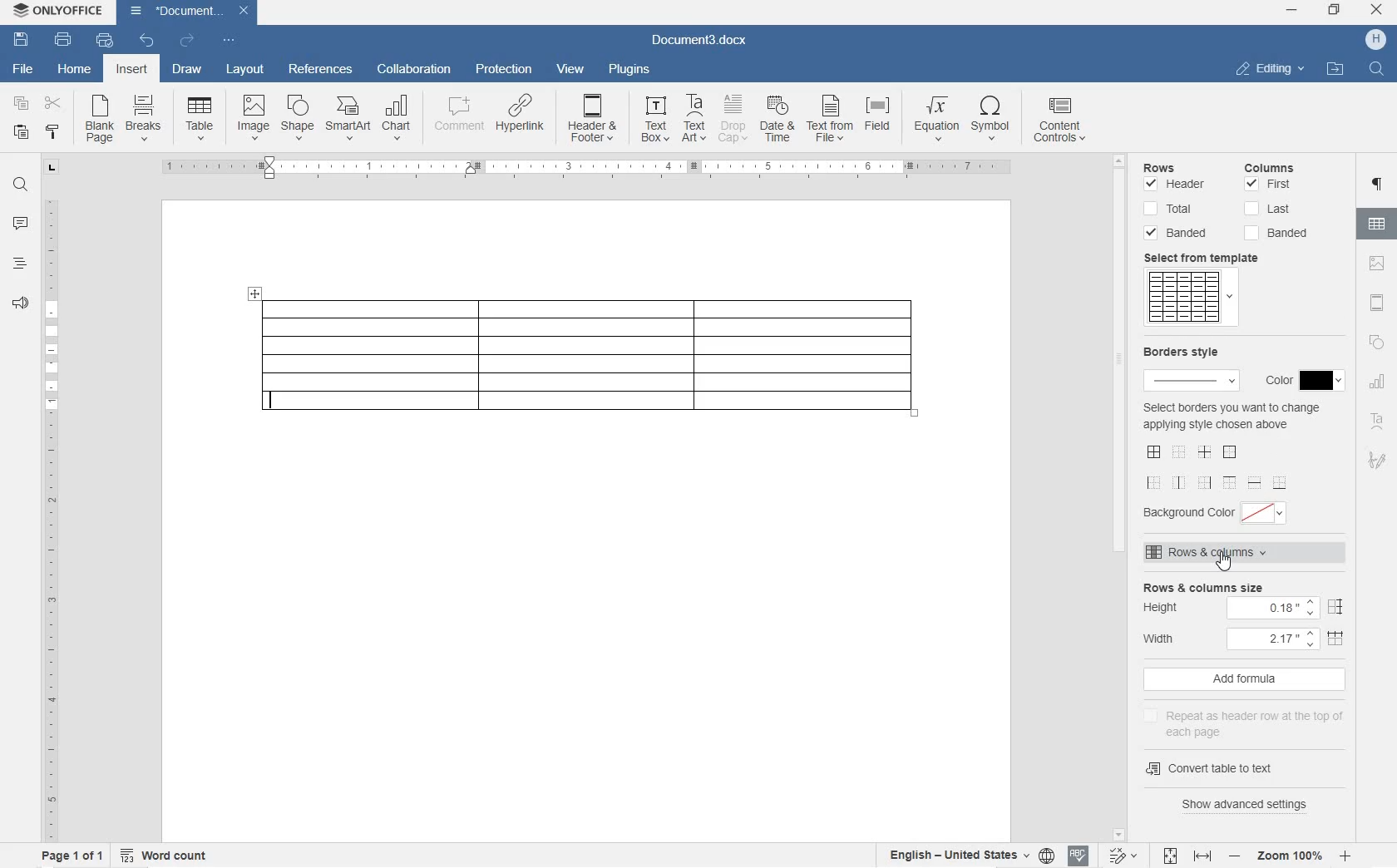 The height and width of the screenshot is (868, 1397). Describe the element at coordinates (1268, 185) in the screenshot. I see `First` at that location.